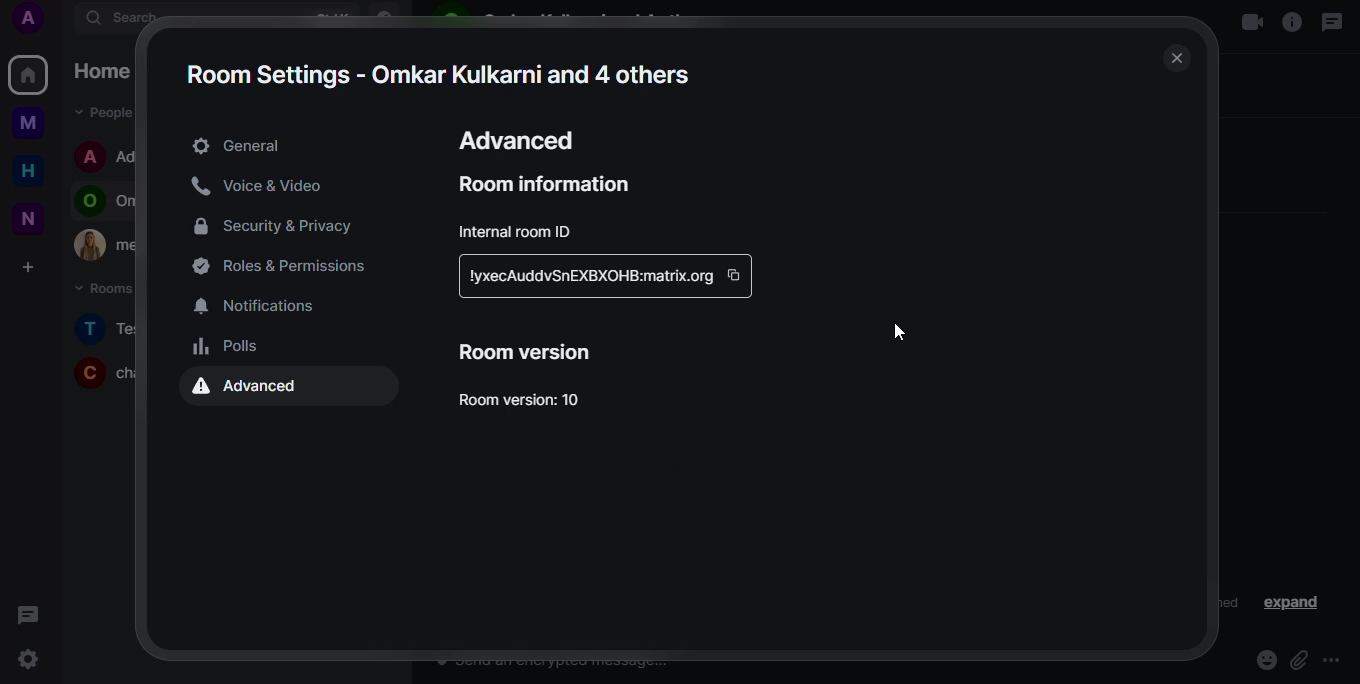 The height and width of the screenshot is (684, 1360). Describe the element at coordinates (101, 371) in the screenshot. I see `room` at that location.